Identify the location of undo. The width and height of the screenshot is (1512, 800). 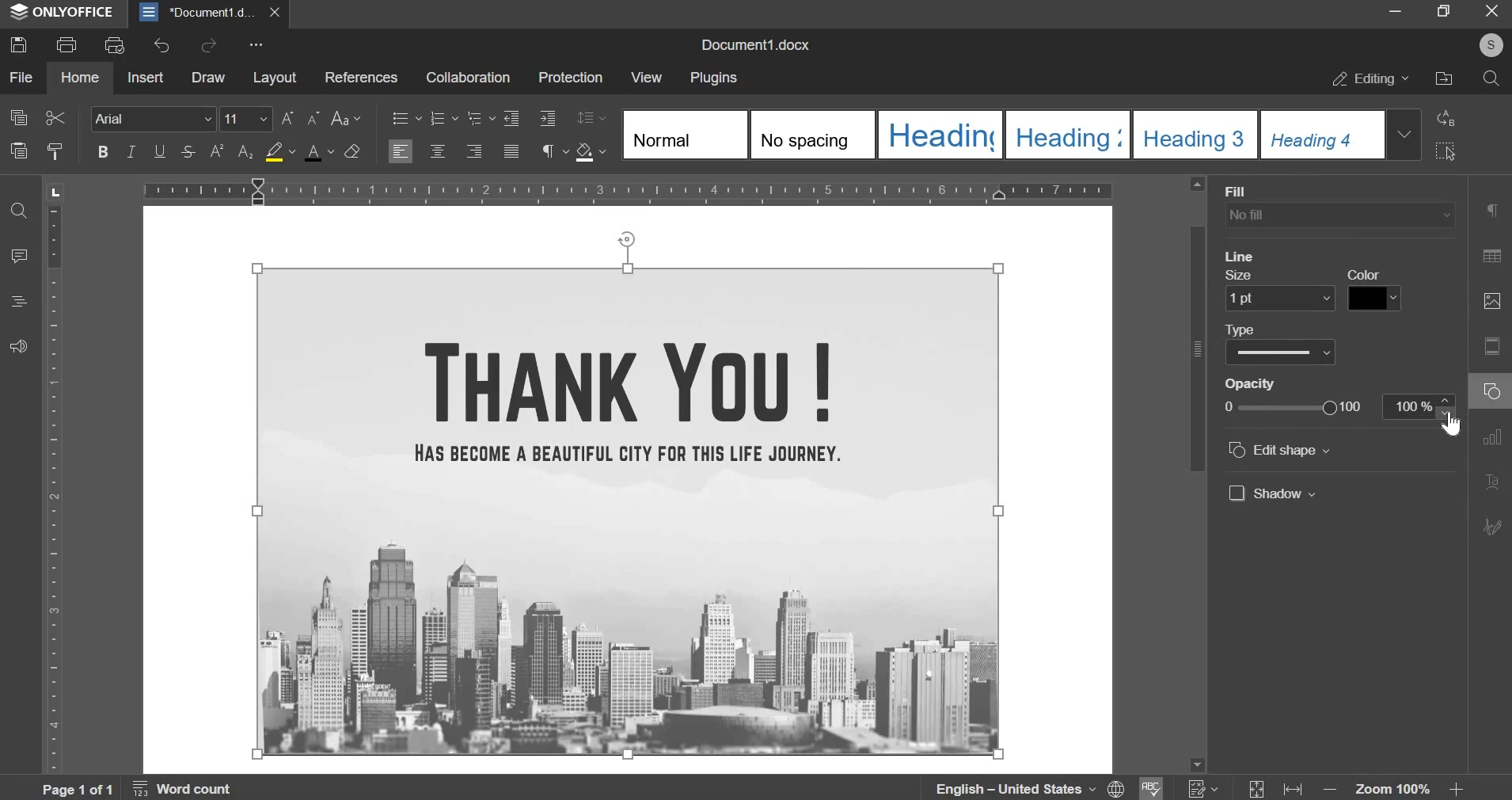
(160, 45).